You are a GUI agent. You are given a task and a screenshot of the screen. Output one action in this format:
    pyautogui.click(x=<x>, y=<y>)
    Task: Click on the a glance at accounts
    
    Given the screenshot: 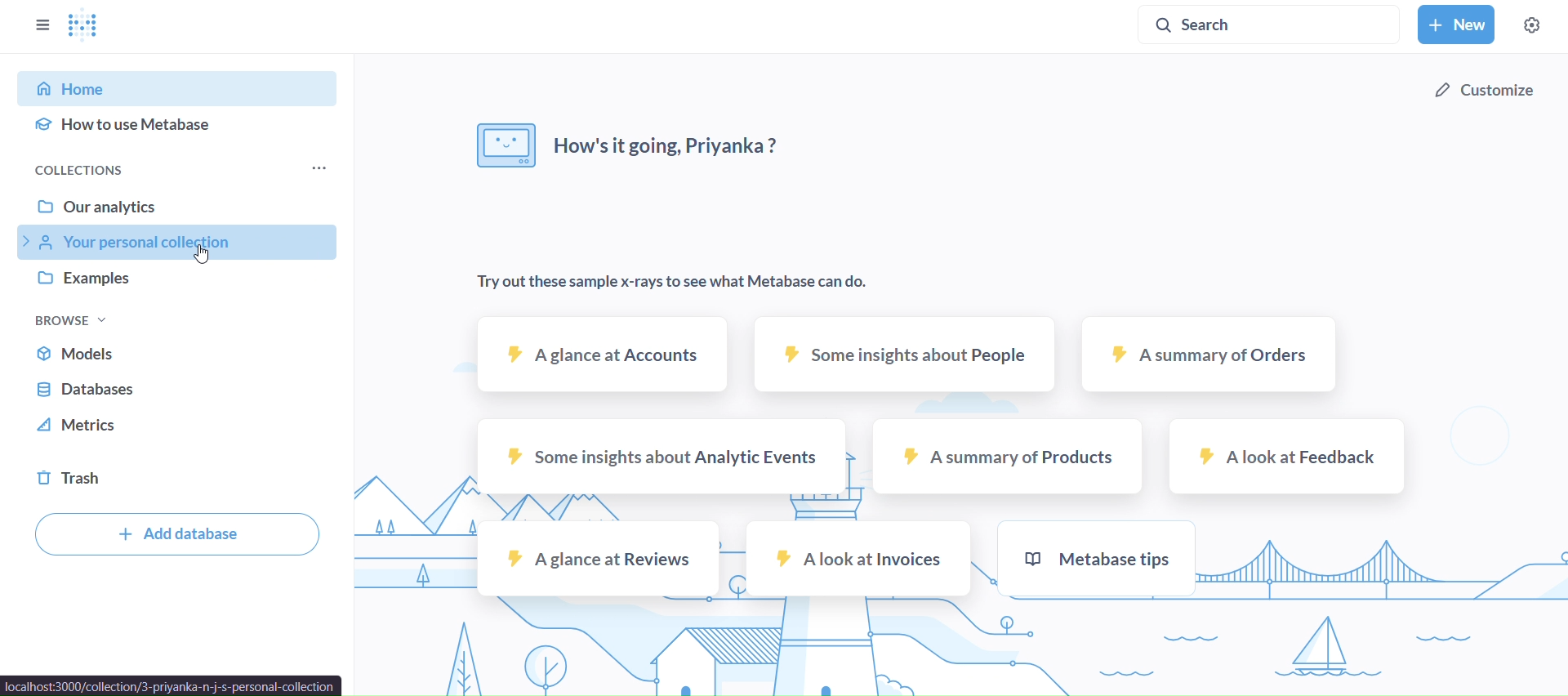 What is the action you would take?
    pyautogui.click(x=606, y=355)
    